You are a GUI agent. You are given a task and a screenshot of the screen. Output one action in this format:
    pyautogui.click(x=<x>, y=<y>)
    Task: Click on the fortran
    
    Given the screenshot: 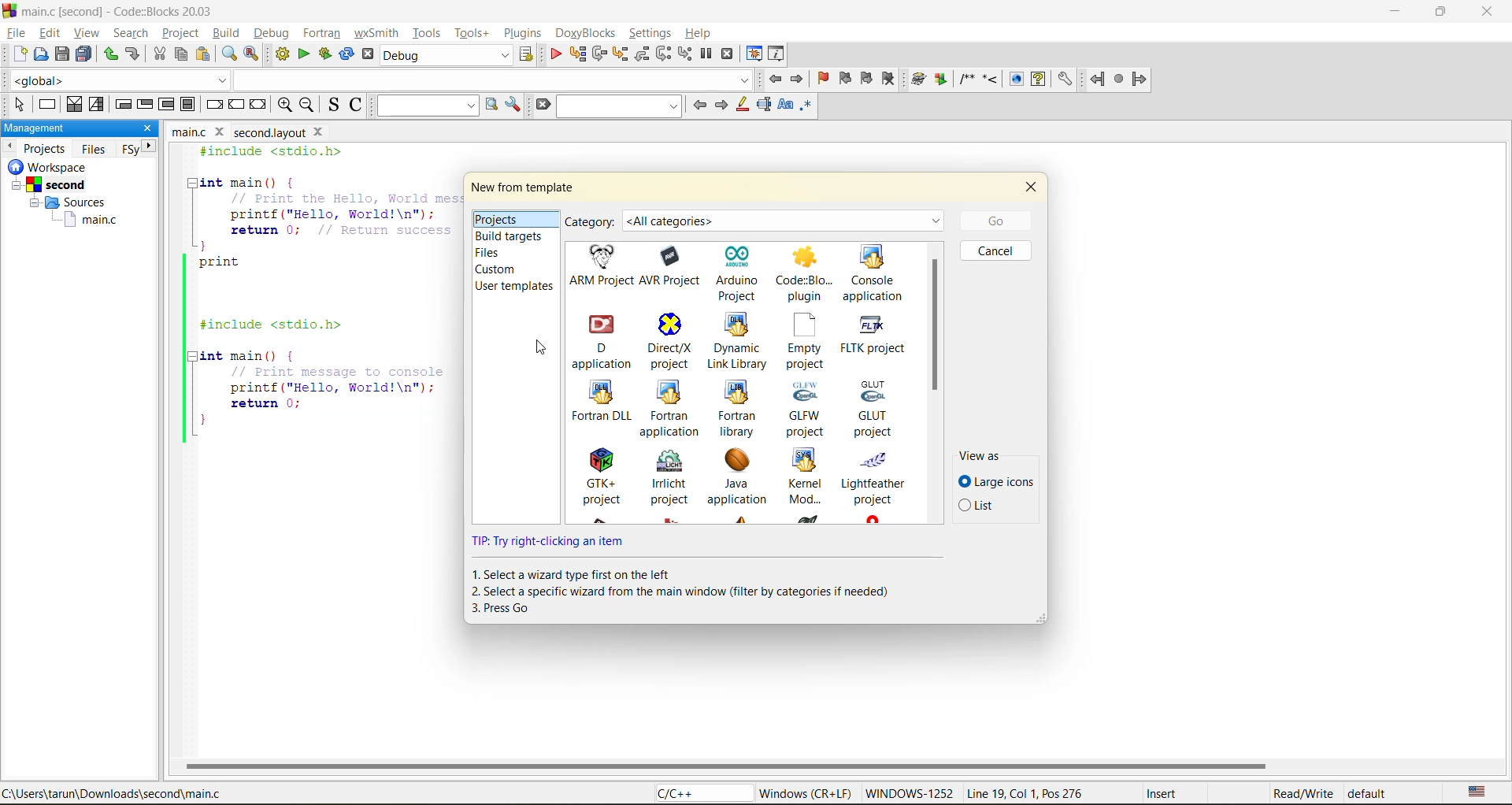 What is the action you would take?
    pyautogui.click(x=322, y=33)
    